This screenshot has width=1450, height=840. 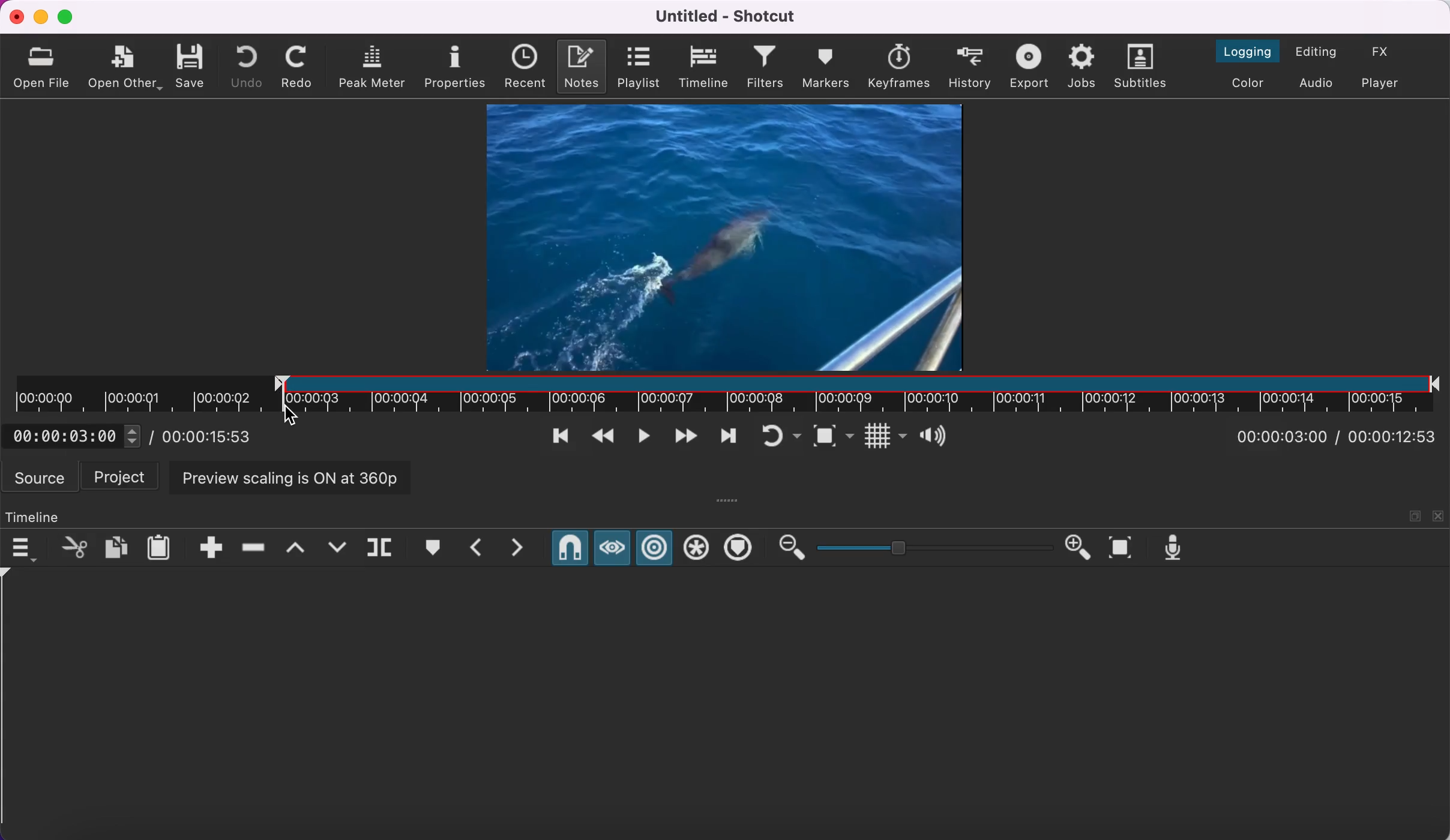 What do you see at coordinates (733, 17) in the screenshot?
I see `title` at bounding box center [733, 17].